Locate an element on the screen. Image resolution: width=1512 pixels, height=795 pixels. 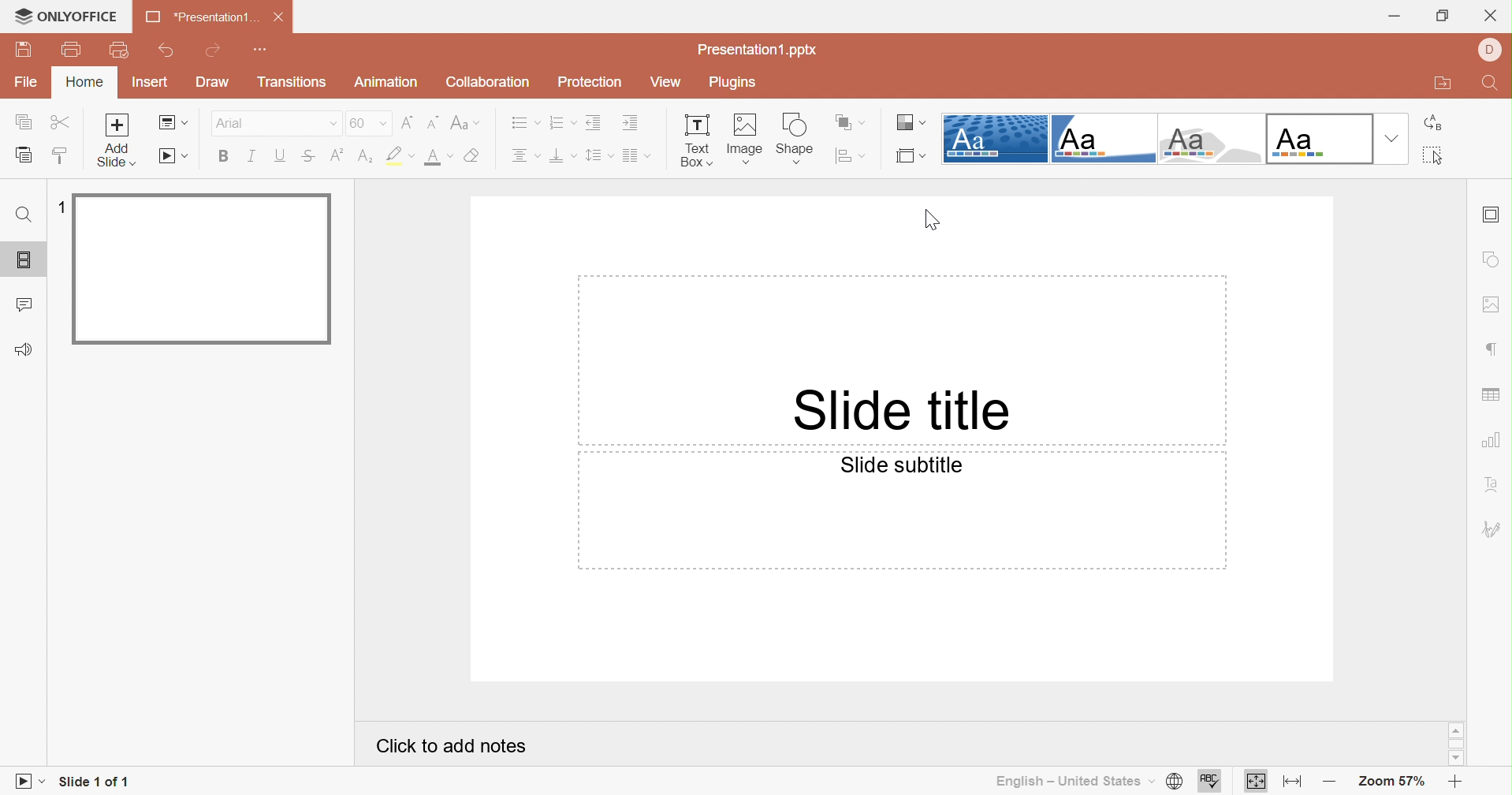
Select slide size is located at coordinates (909, 157).